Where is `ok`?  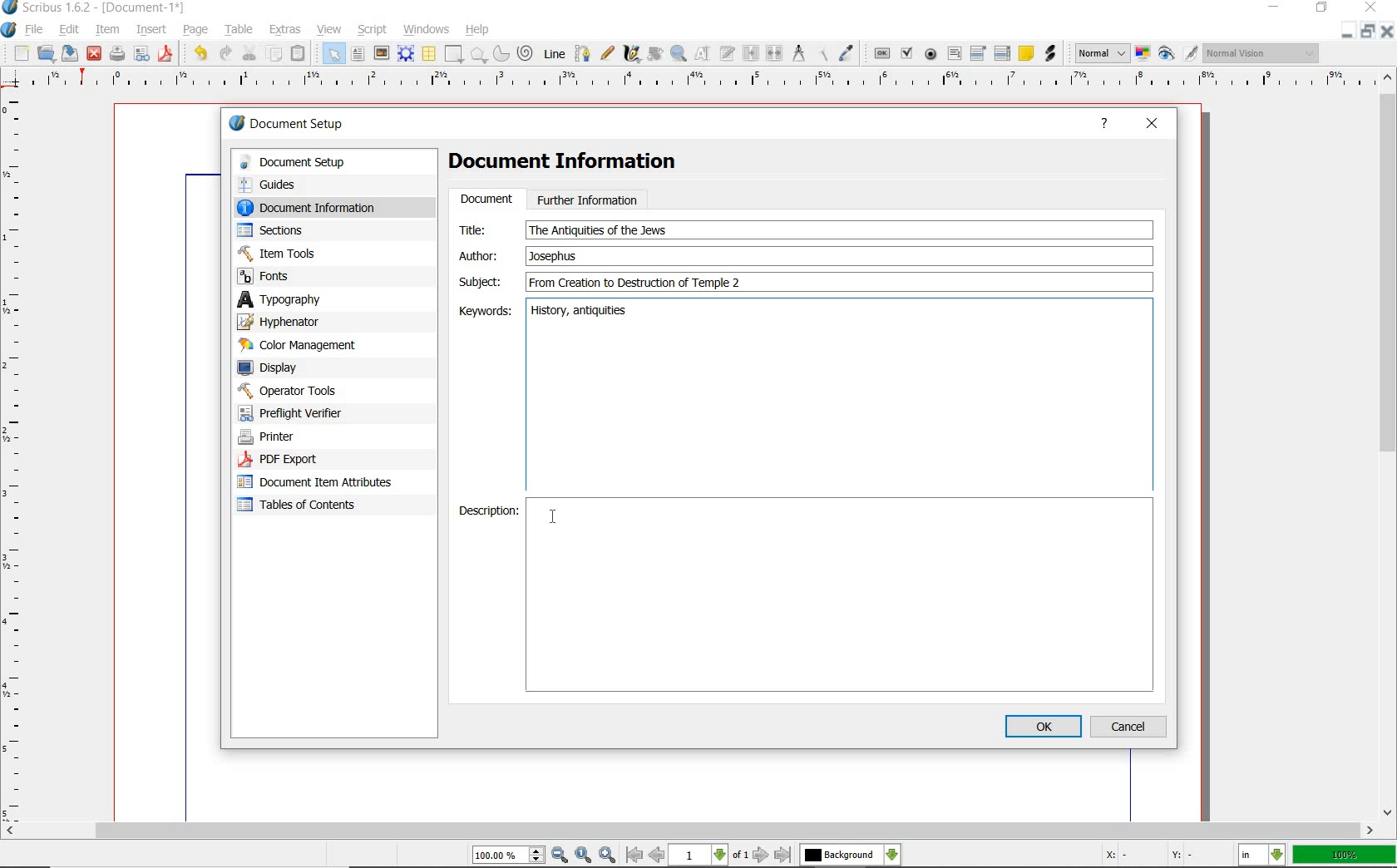 ok is located at coordinates (1043, 726).